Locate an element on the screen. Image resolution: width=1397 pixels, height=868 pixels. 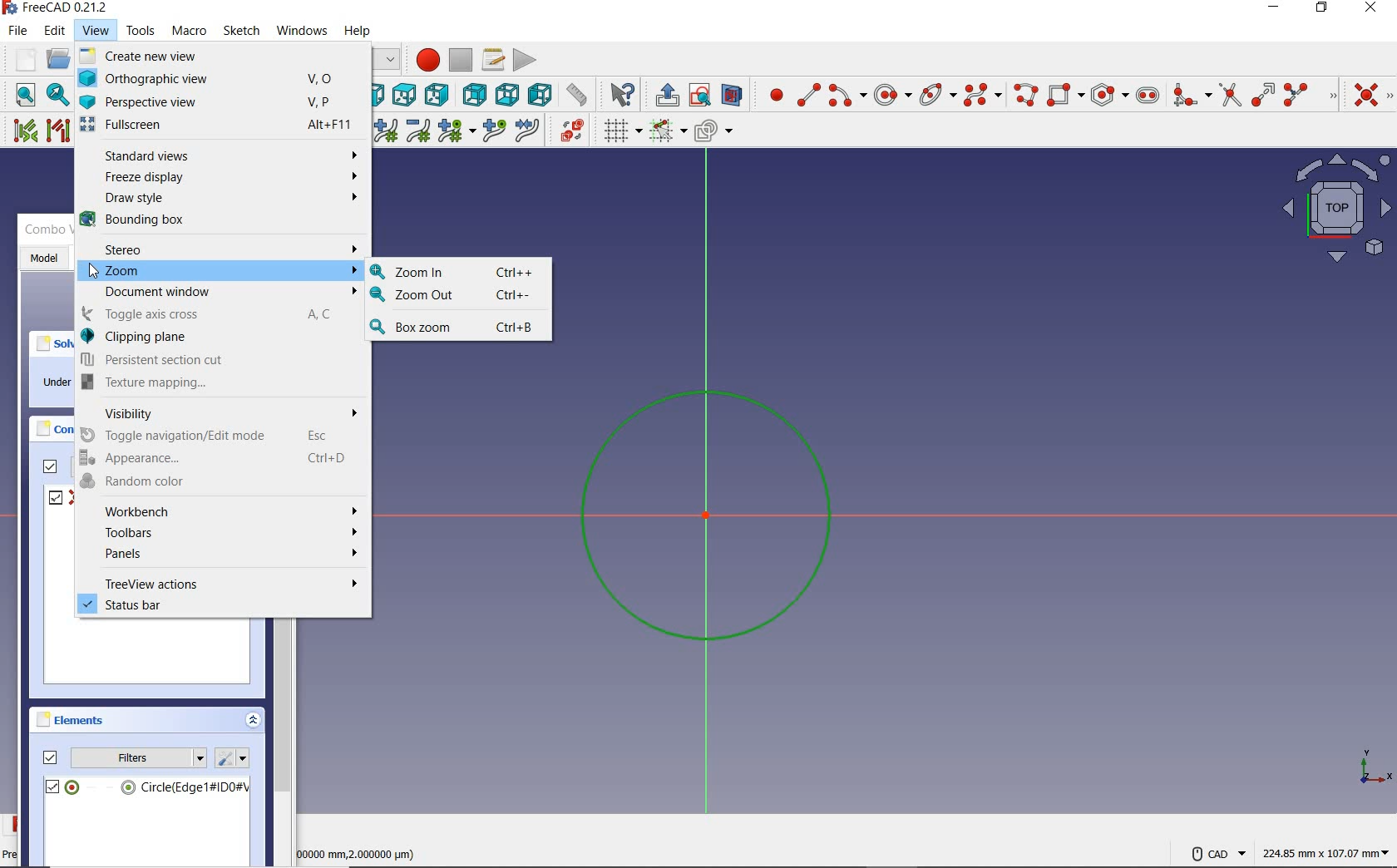
toggle grid is located at coordinates (618, 131).